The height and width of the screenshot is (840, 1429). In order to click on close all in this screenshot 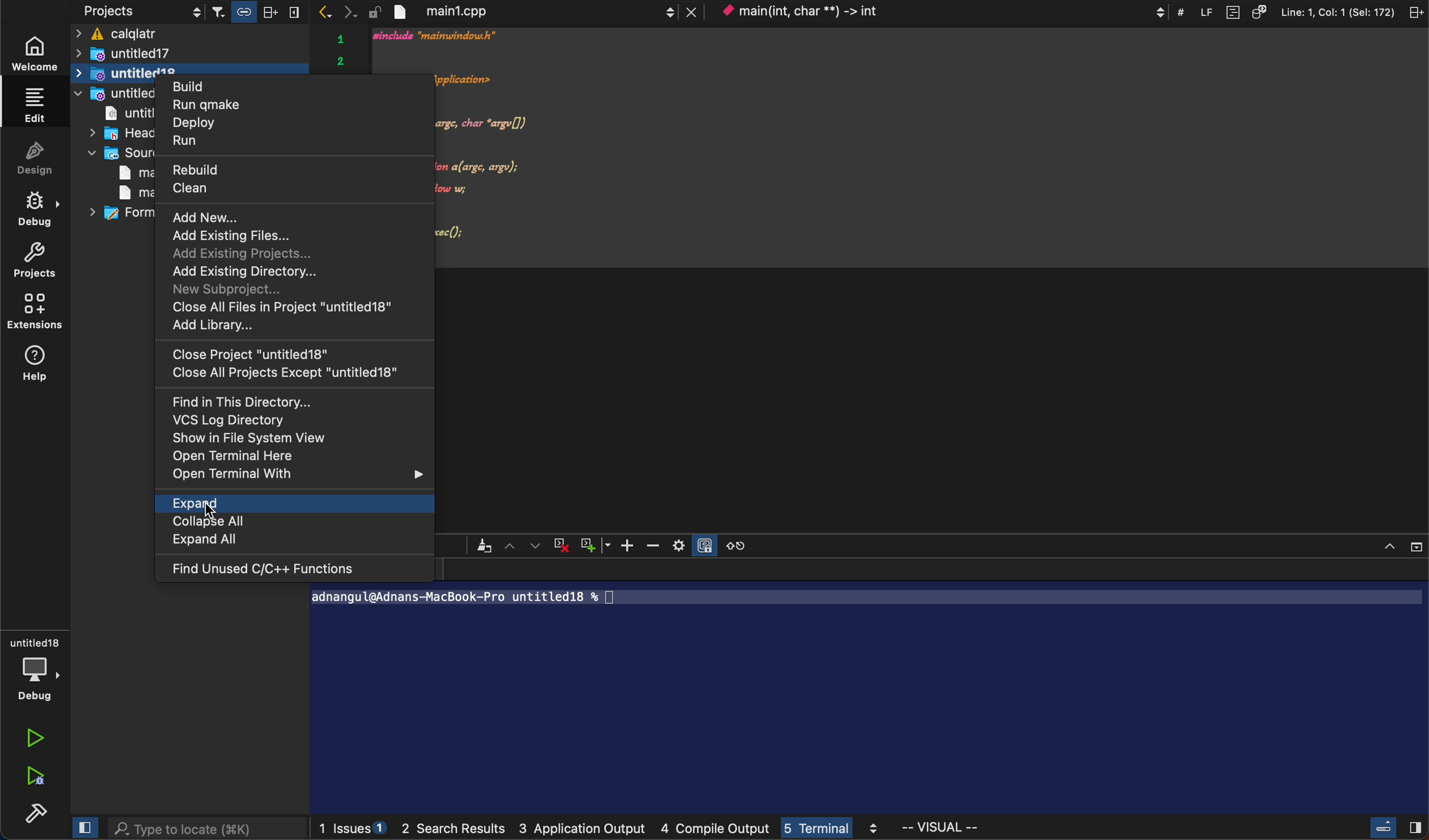, I will do `click(282, 308)`.